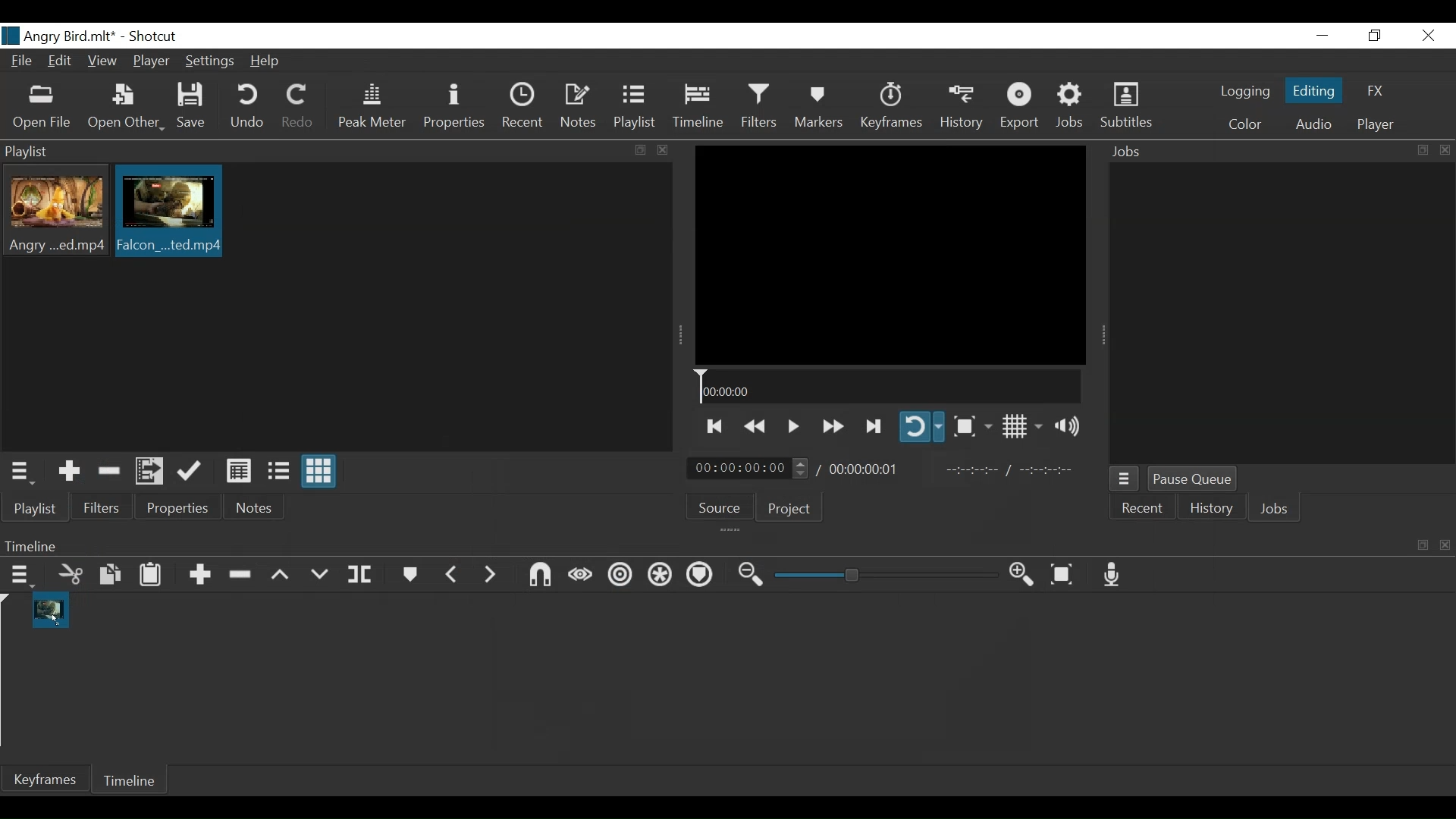 This screenshot has height=819, width=1456. Describe the element at coordinates (1373, 93) in the screenshot. I see `FX` at that location.